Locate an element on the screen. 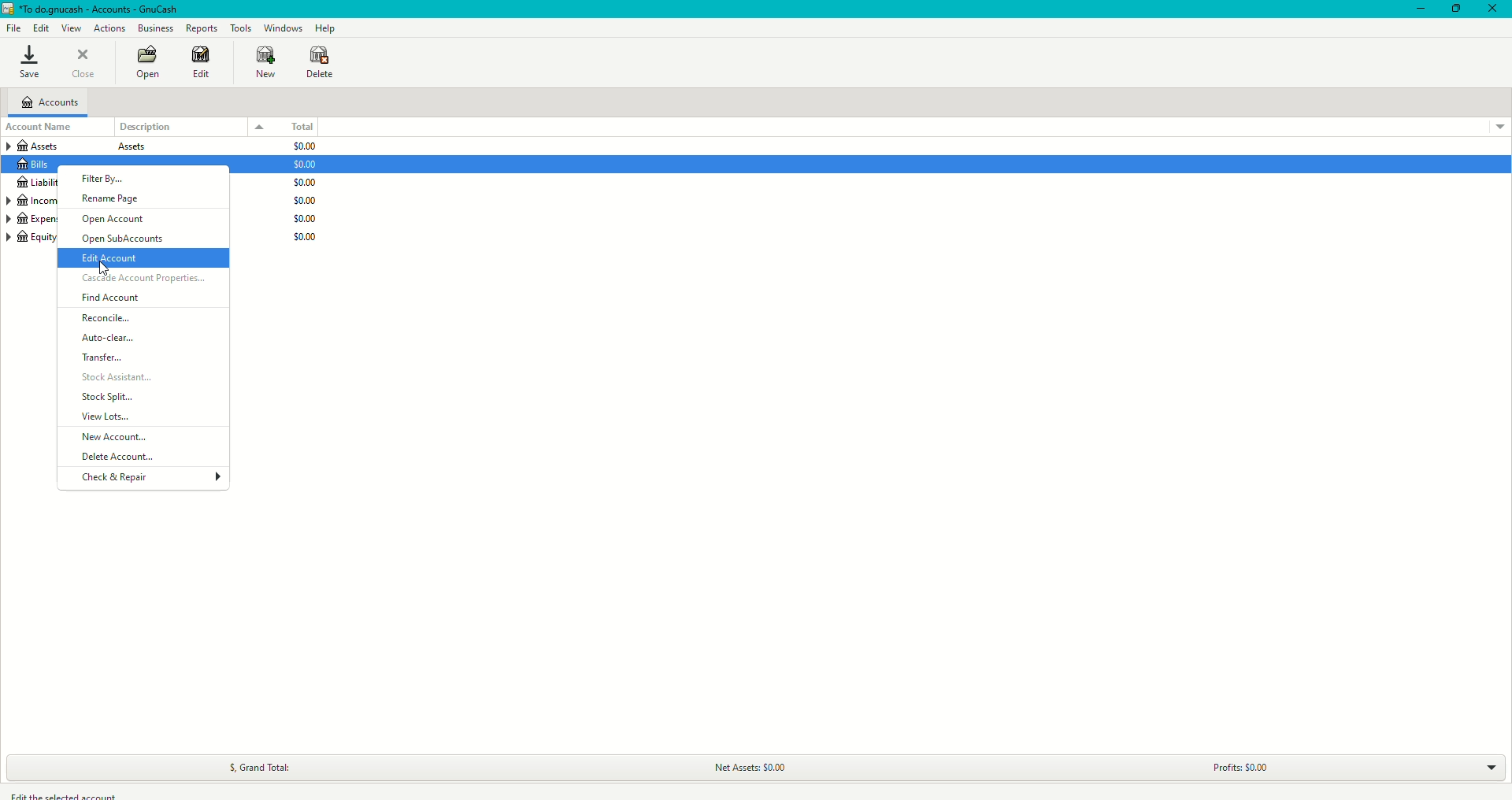 The width and height of the screenshot is (1512, 800). Bills is located at coordinates (37, 165).